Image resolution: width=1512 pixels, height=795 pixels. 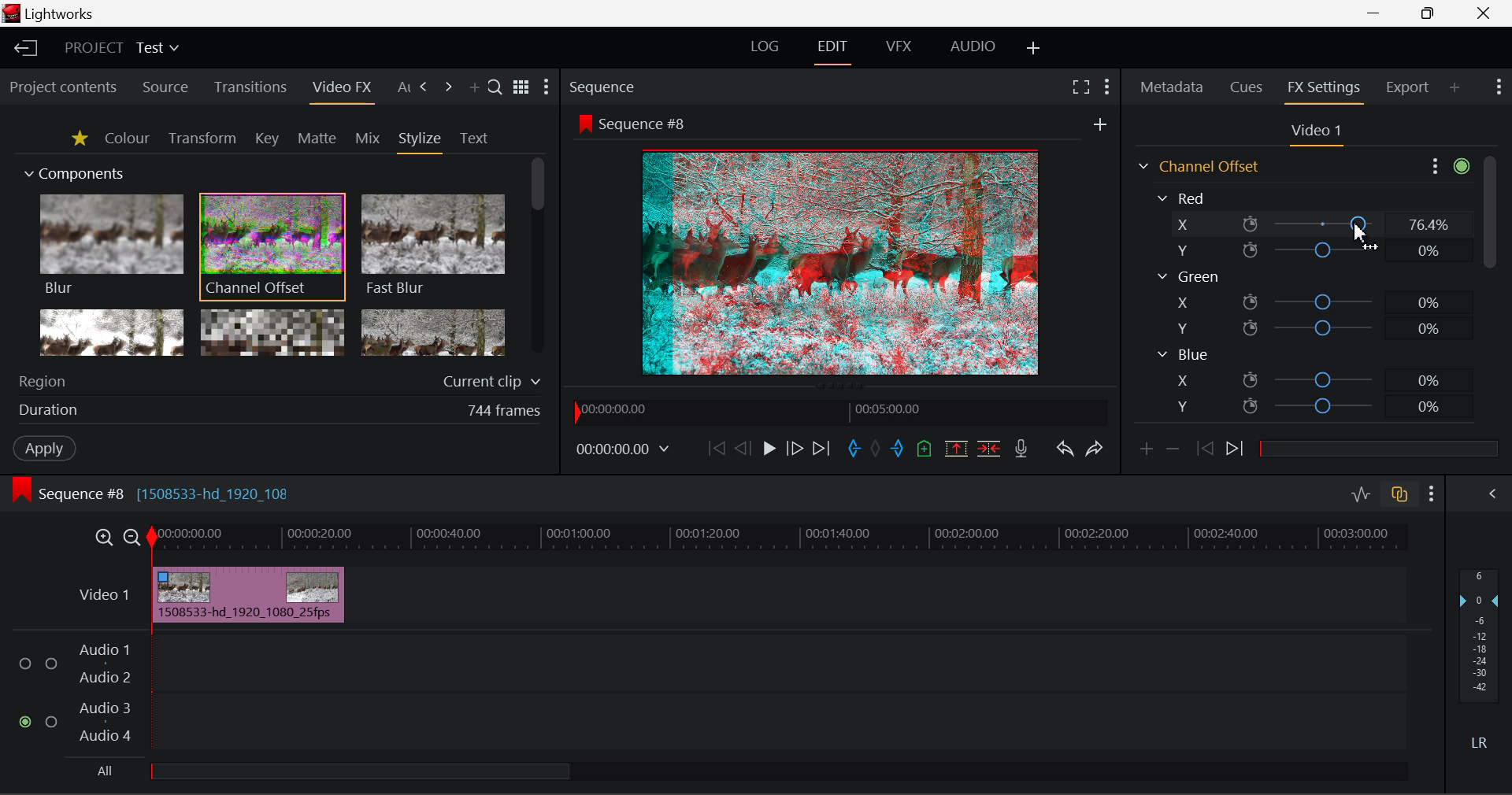 I want to click on Redo, so click(x=1095, y=452).